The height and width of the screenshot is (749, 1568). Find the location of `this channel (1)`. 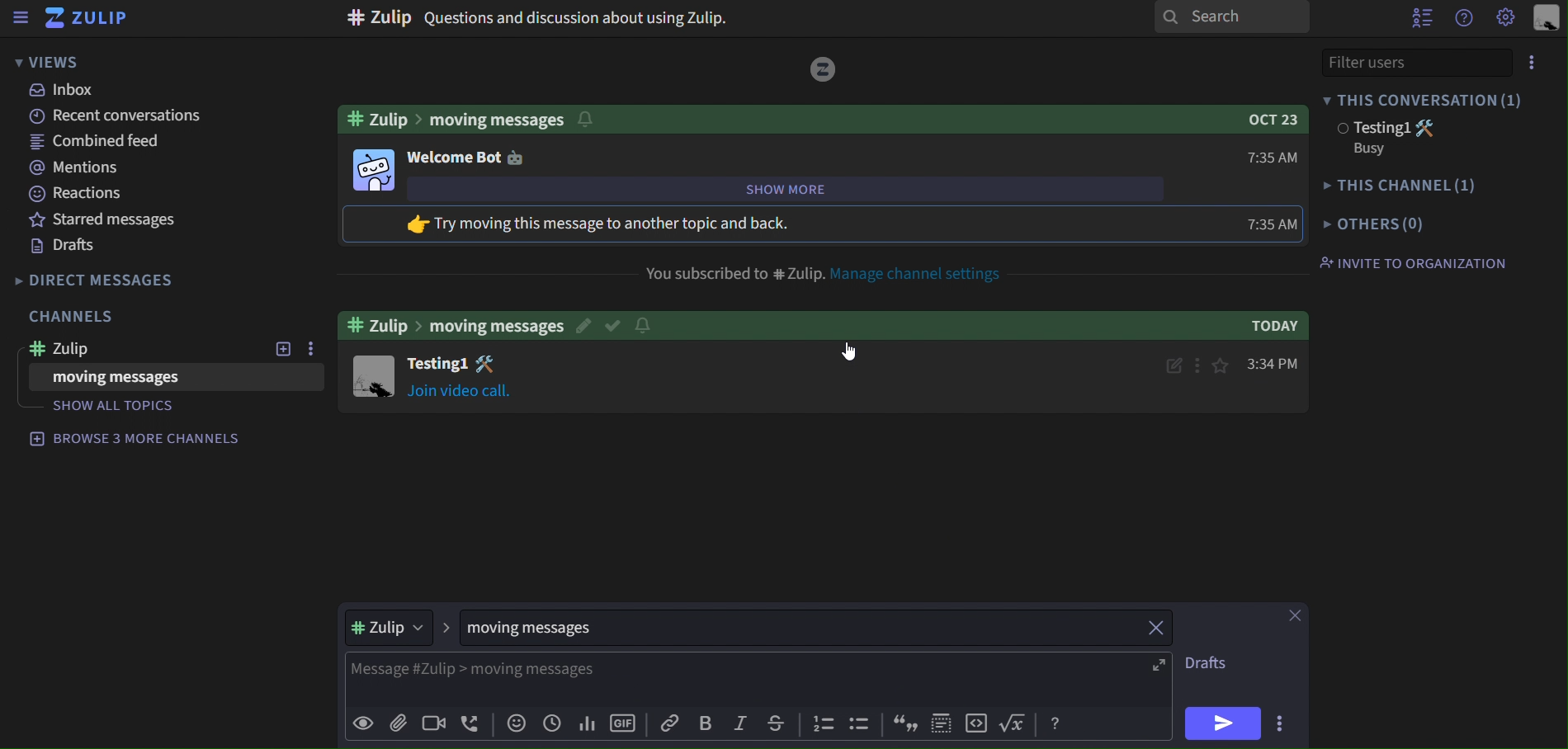

this channel (1) is located at coordinates (1401, 186).